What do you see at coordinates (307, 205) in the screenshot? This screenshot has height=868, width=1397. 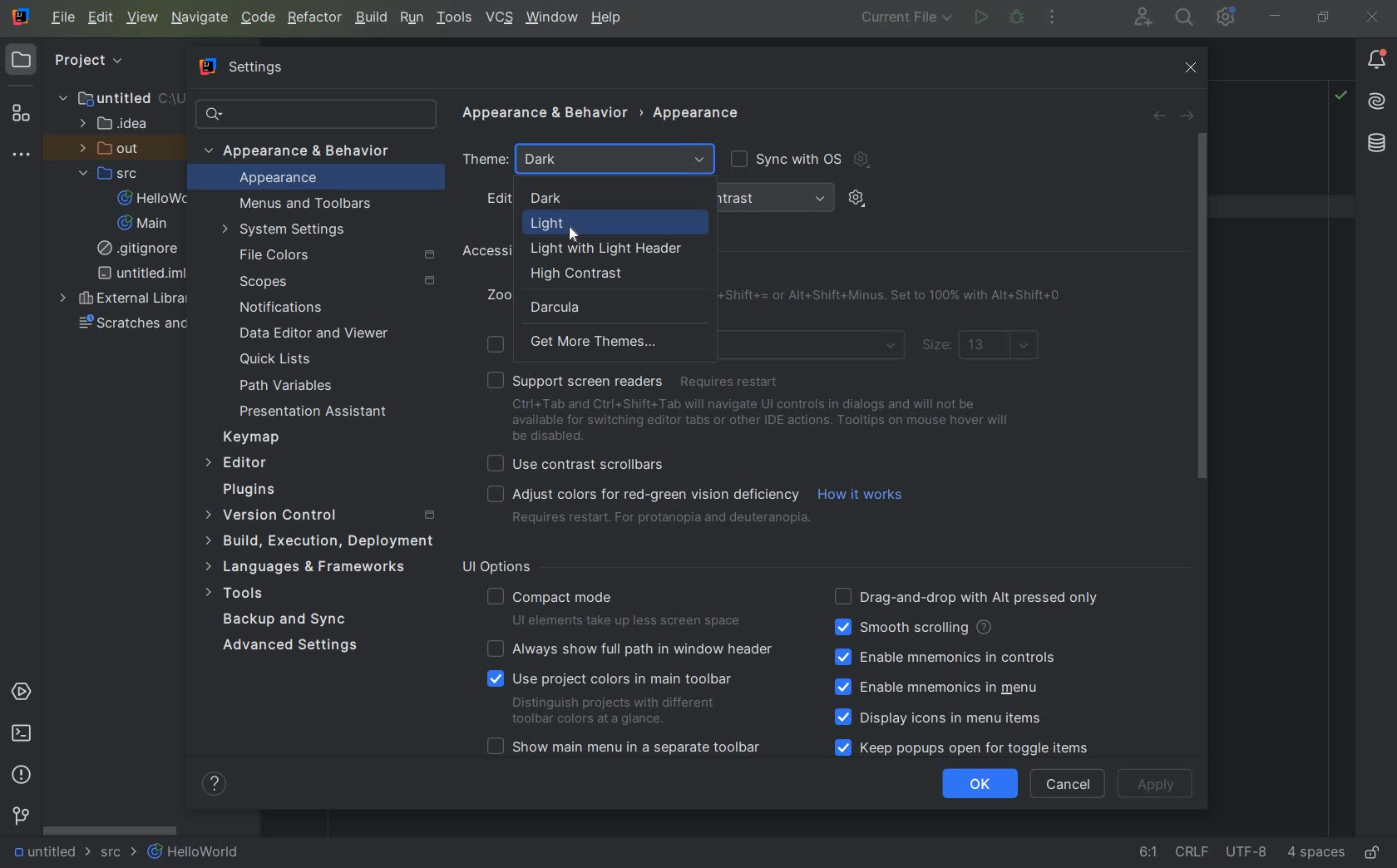 I see `MENUS & TOOLBARS` at bounding box center [307, 205].